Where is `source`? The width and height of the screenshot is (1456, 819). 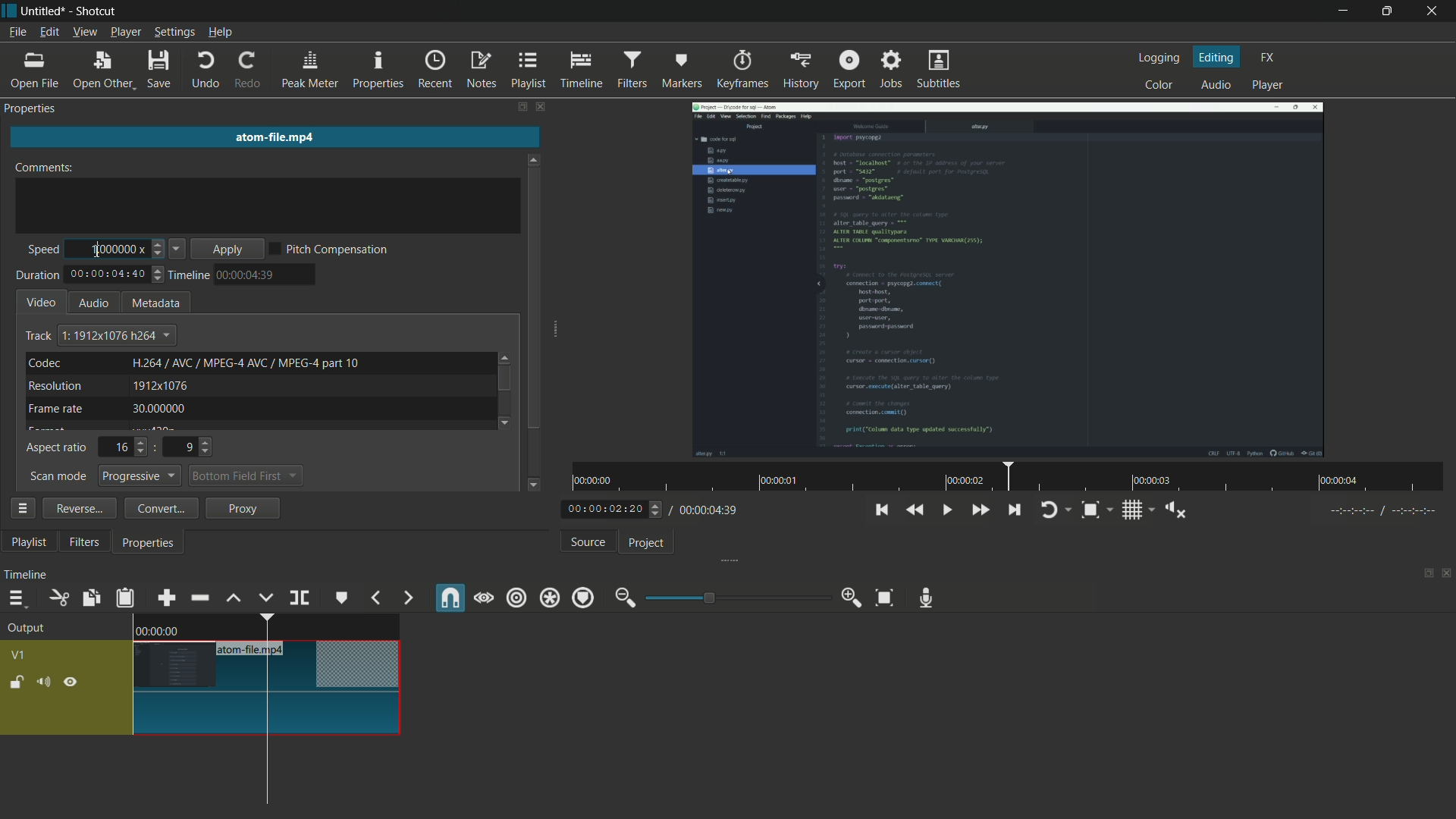
source is located at coordinates (589, 542).